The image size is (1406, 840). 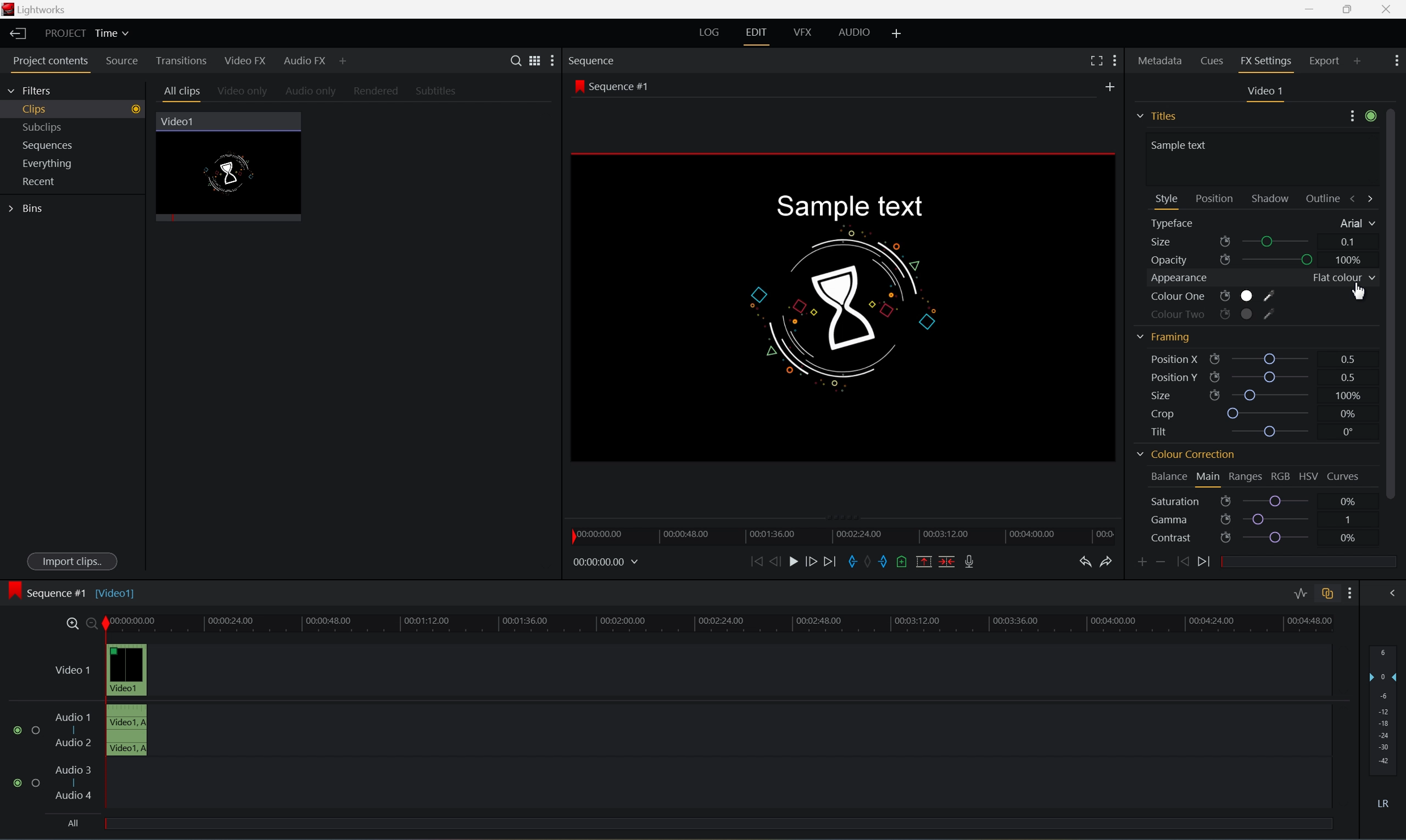 What do you see at coordinates (1344, 477) in the screenshot?
I see `curves` at bounding box center [1344, 477].